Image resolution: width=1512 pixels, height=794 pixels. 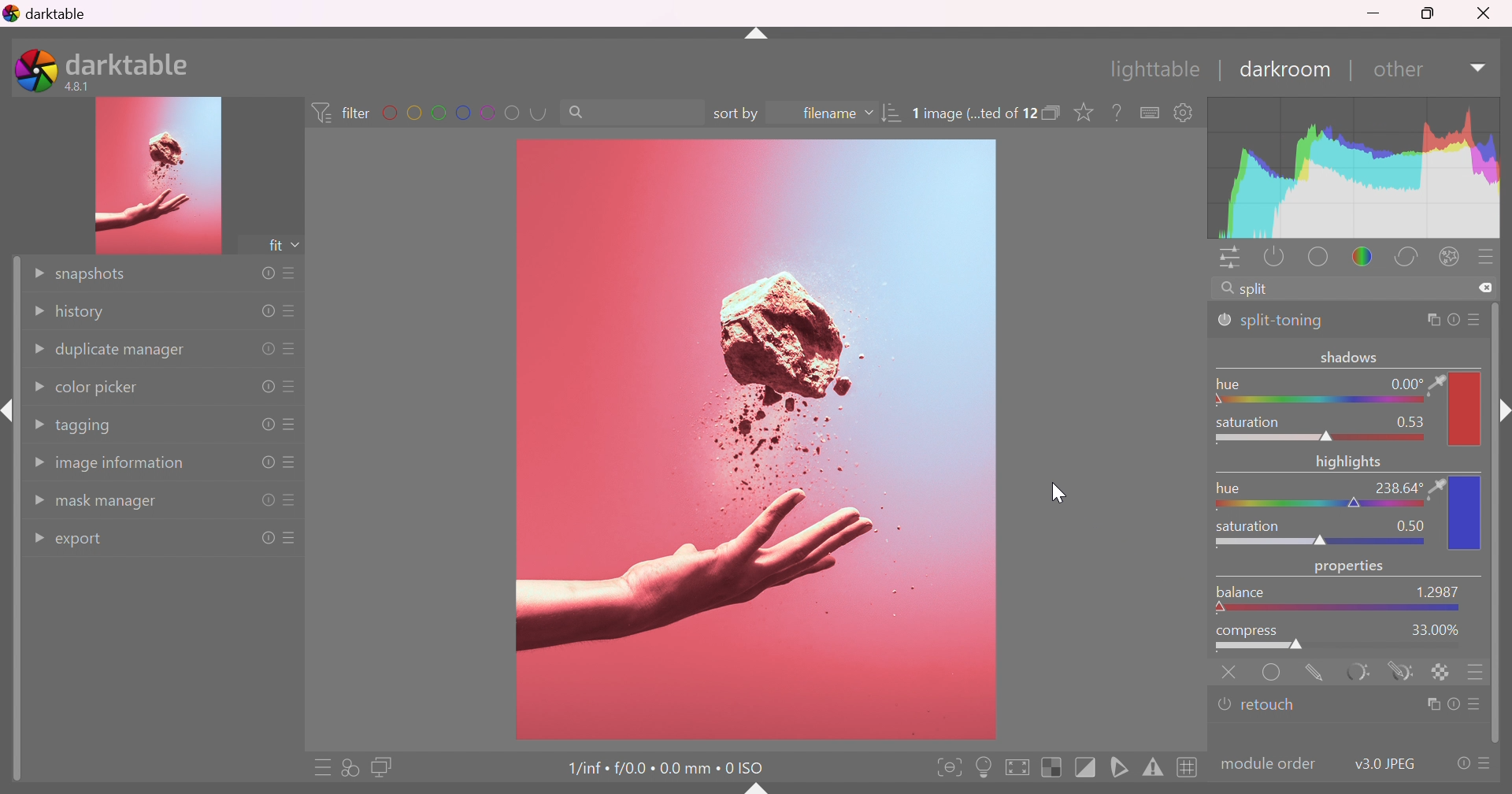 What do you see at coordinates (1223, 703) in the screenshot?
I see `'retouch' is switched off` at bounding box center [1223, 703].